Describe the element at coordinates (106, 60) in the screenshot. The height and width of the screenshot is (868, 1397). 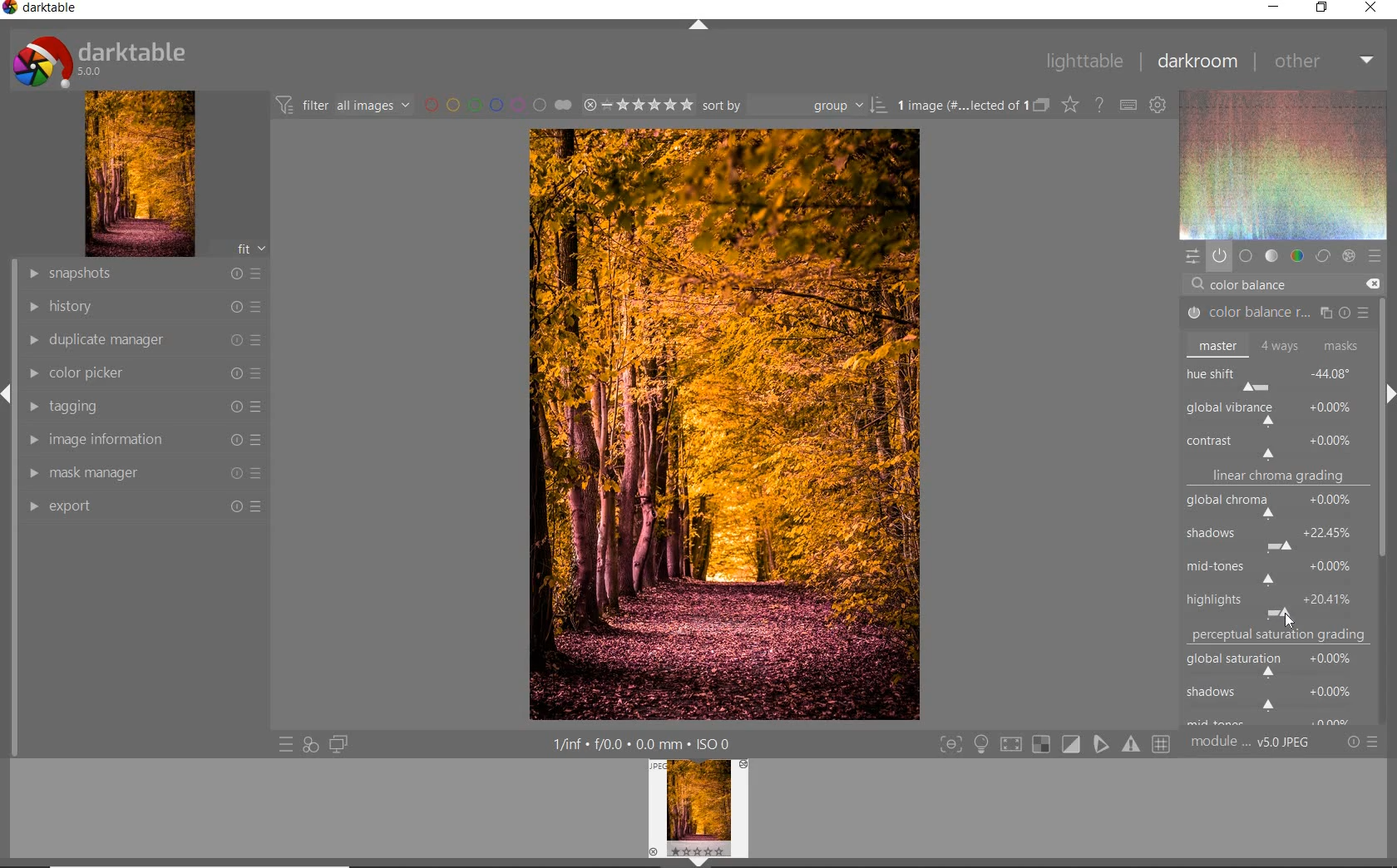
I see `system logo or name` at that location.